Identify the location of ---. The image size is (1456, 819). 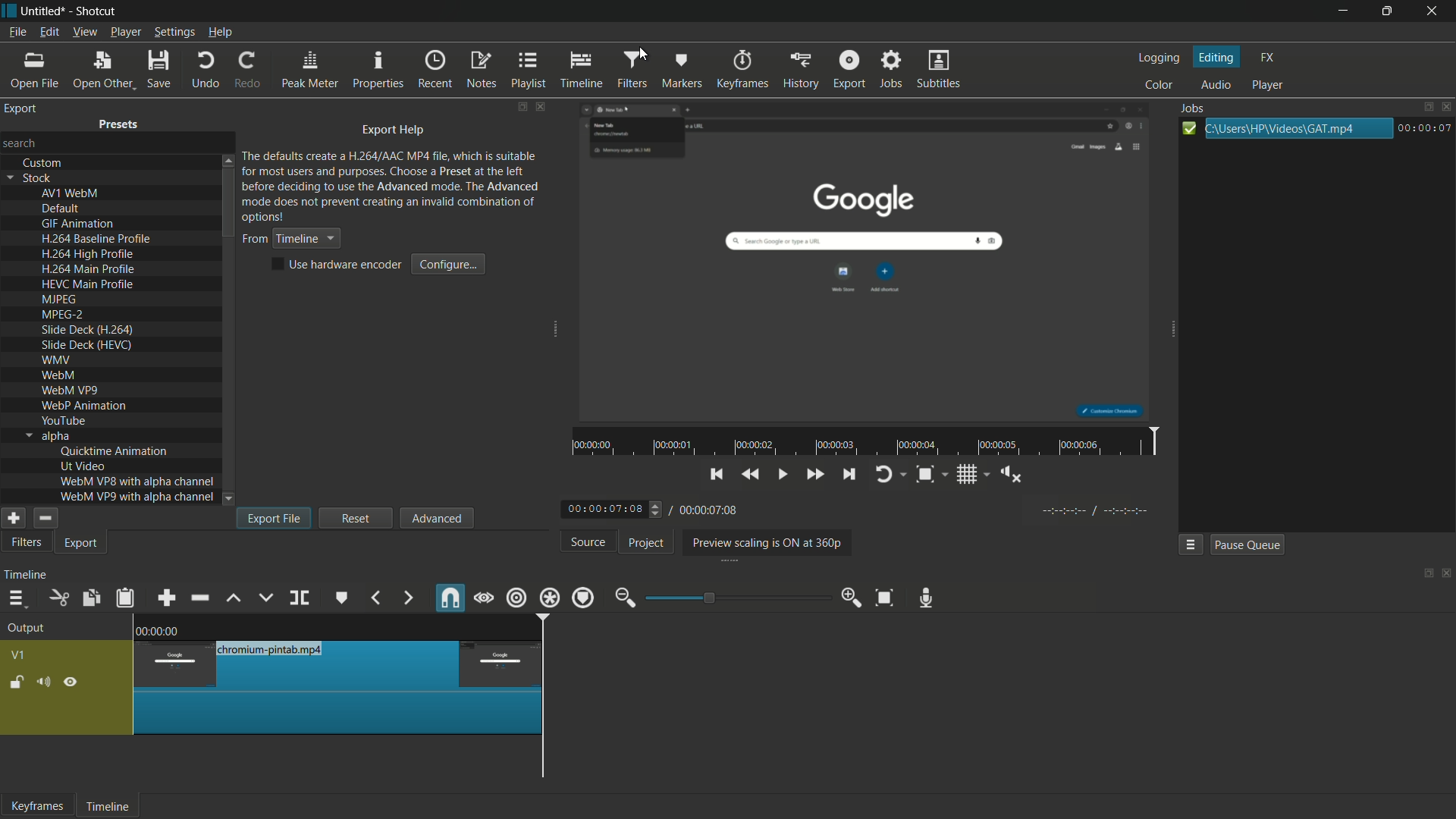
(1096, 510).